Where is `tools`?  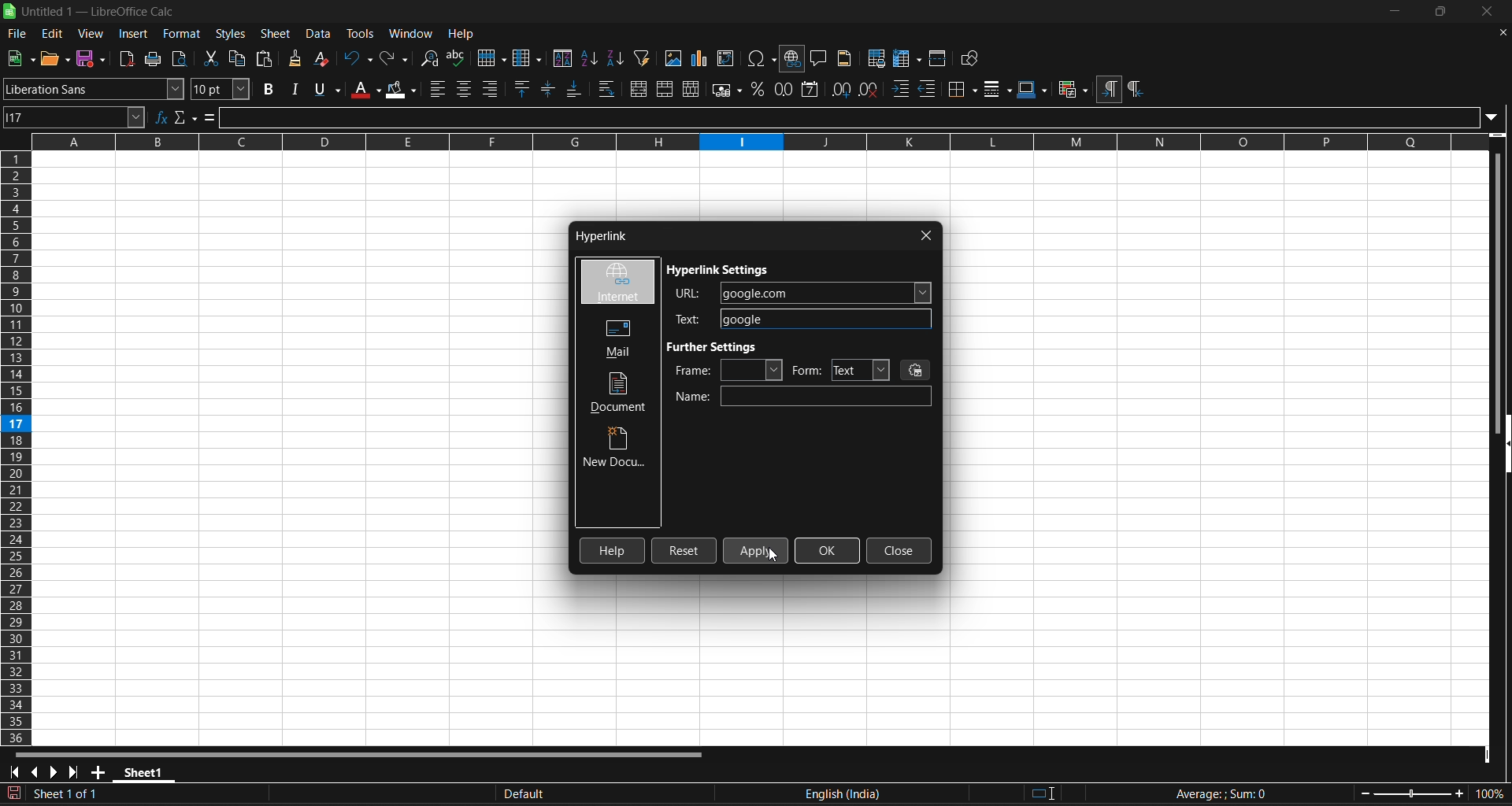 tools is located at coordinates (359, 33).